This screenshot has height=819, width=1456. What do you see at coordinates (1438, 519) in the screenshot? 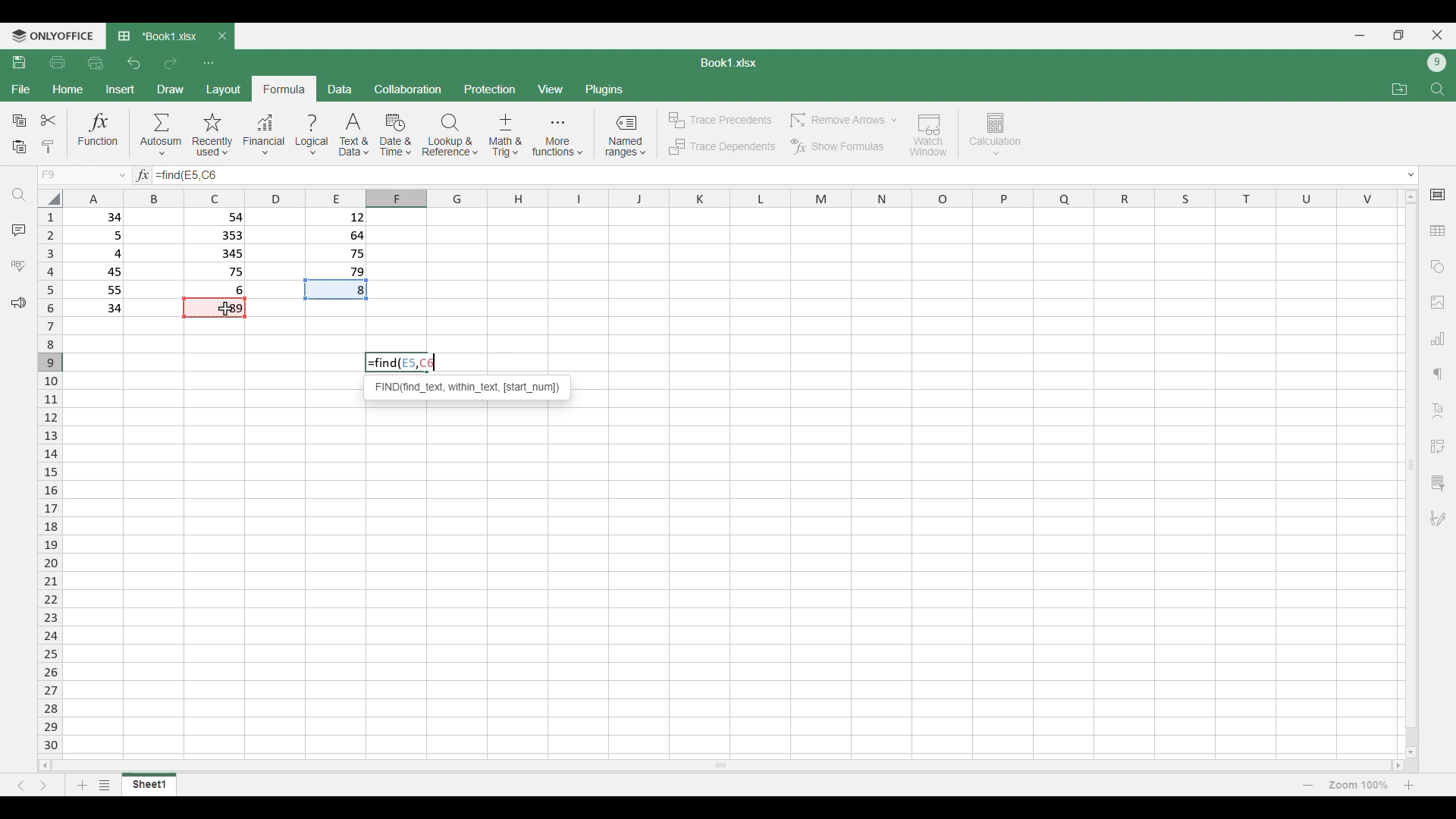
I see `Add digital signature or signature line` at bounding box center [1438, 519].